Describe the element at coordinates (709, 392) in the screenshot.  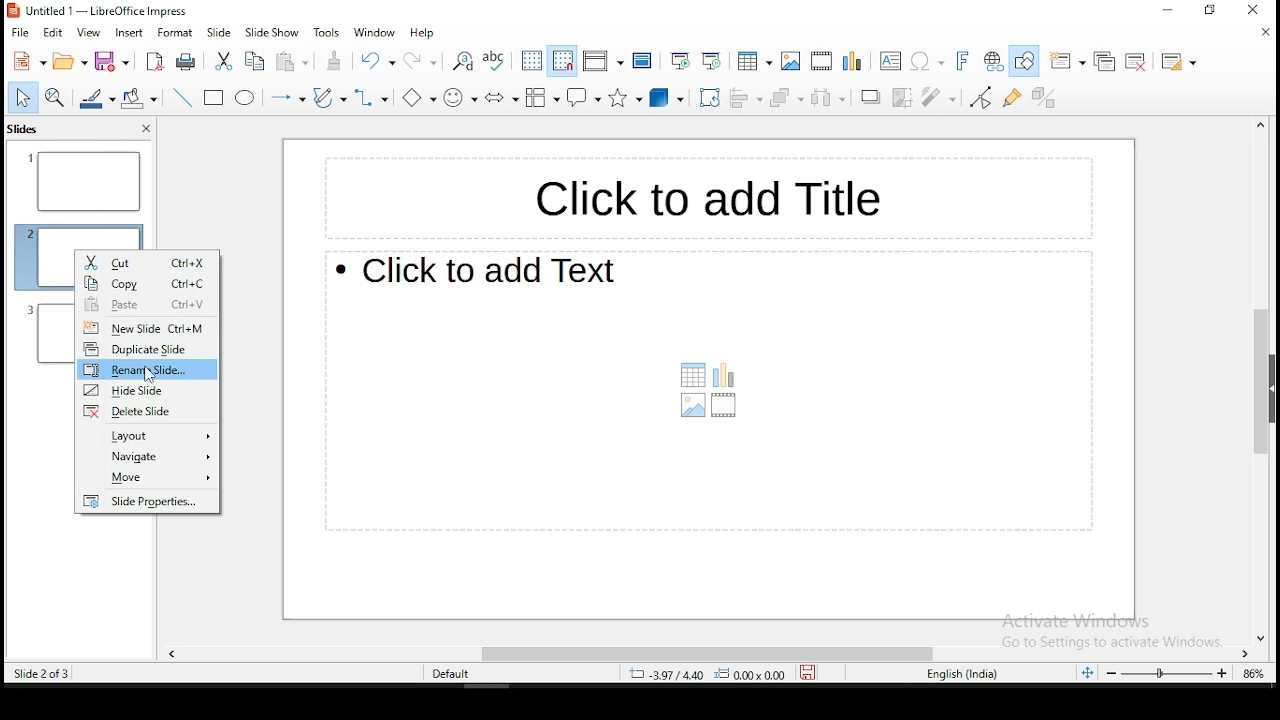
I see `text box` at that location.